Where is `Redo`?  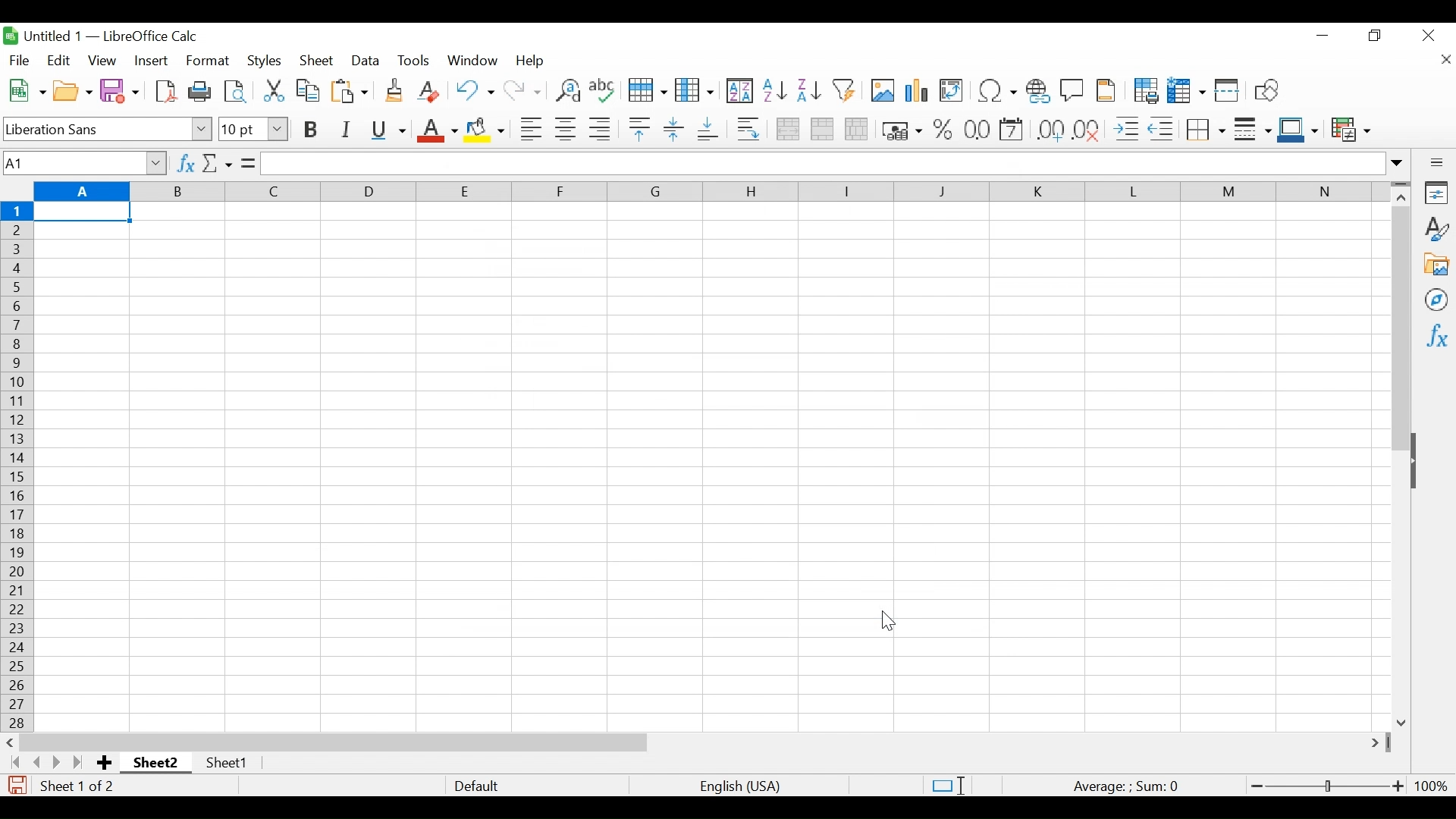 Redo is located at coordinates (522, 91).